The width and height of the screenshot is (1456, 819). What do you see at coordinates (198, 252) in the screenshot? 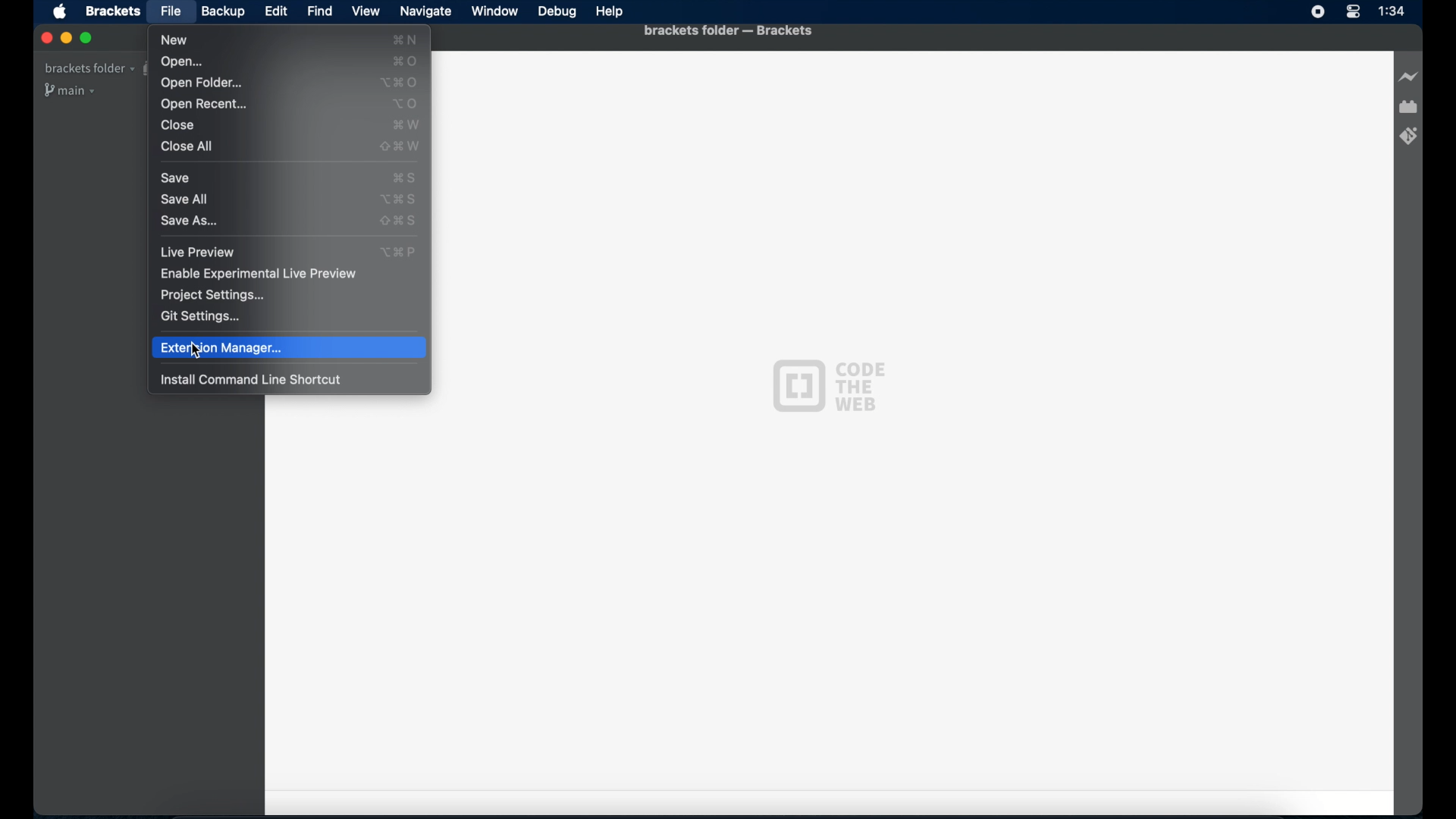
I see `live preview` at bounding box center [198, 252].